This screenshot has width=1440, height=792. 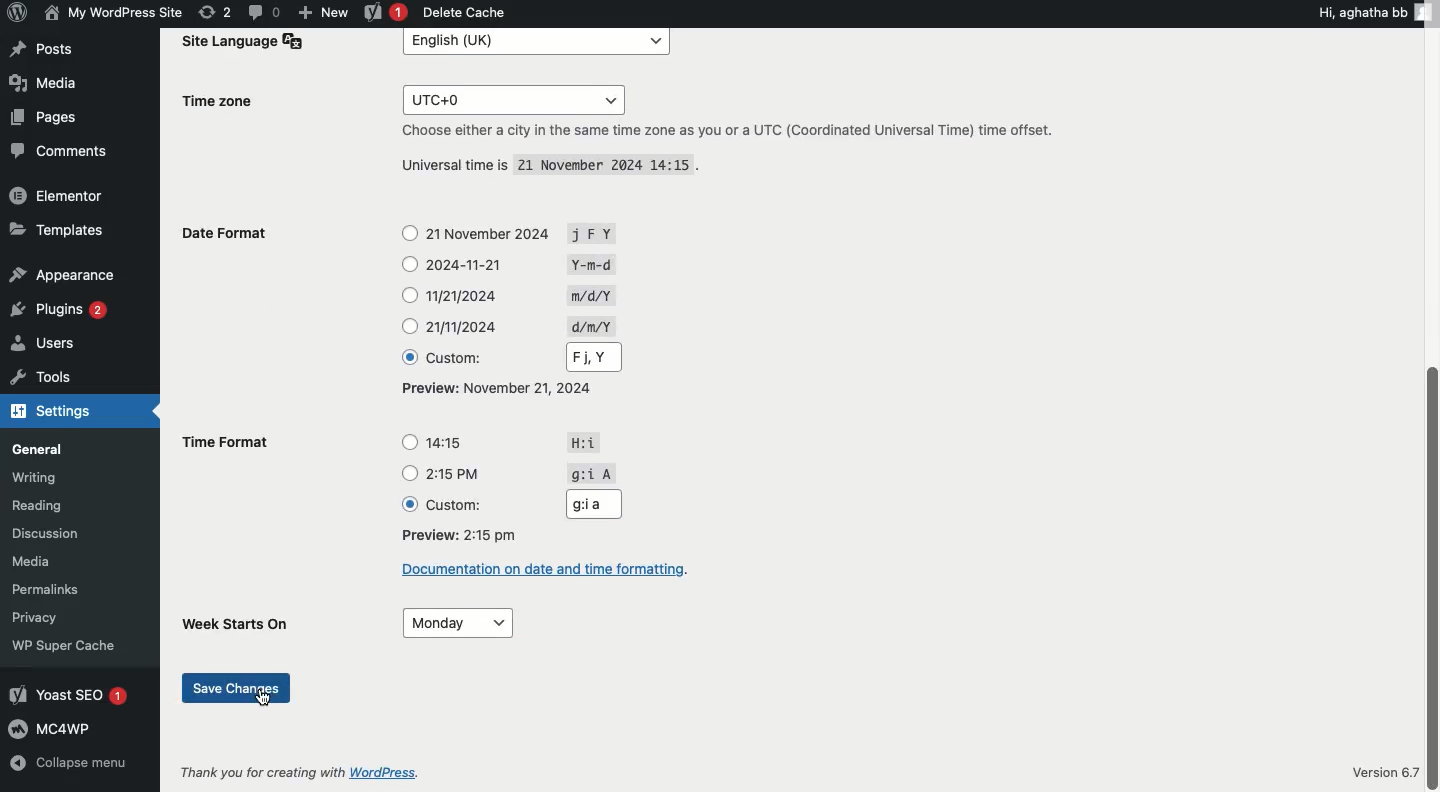 I want to click on  Custom: Fj, Y , so click(x=519, y=356).